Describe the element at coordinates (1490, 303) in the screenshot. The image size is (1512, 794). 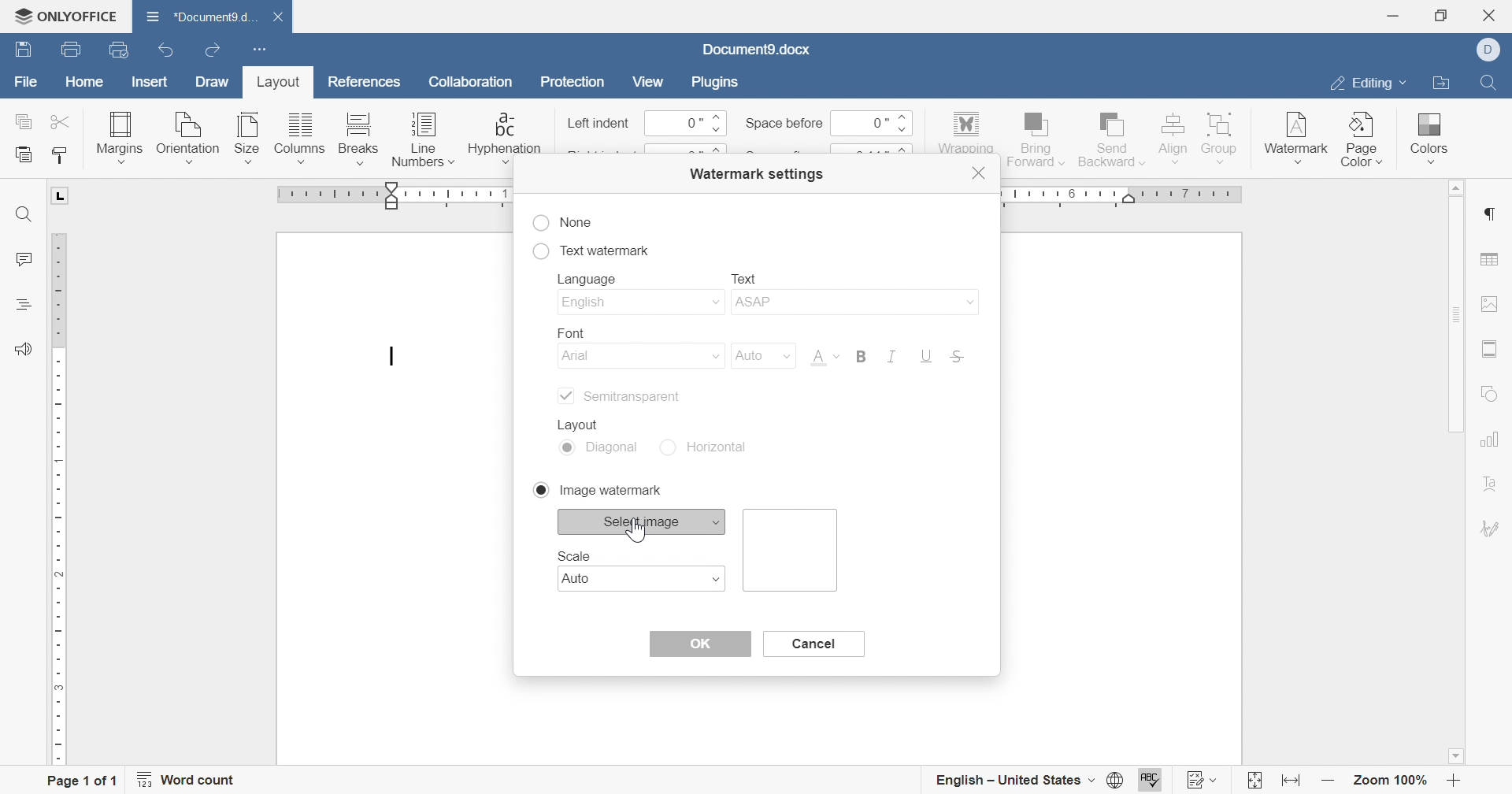
I see `image settings` at that location.